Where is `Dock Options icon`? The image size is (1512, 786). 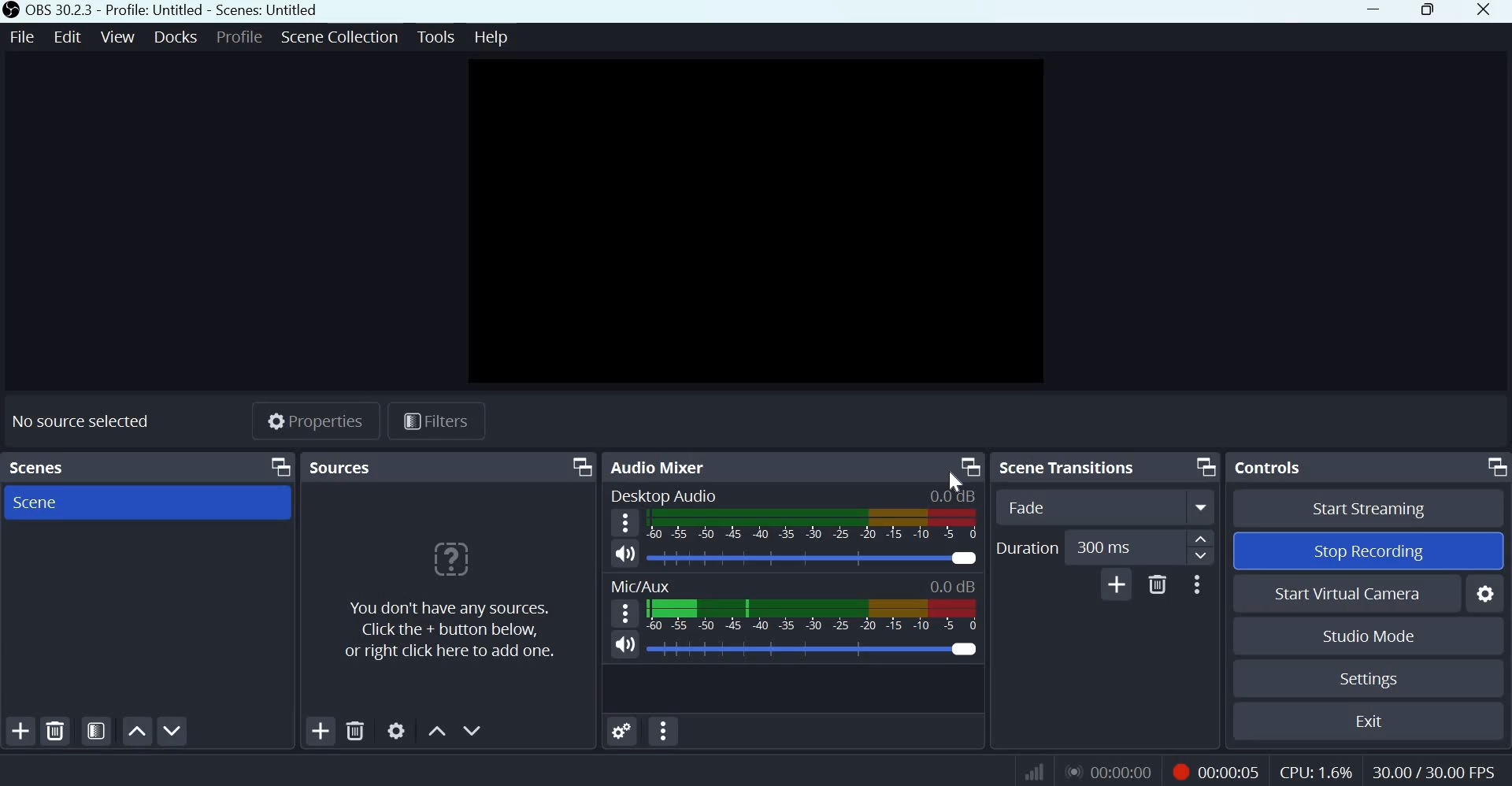
Dock Options icon is located at coordinates (278, 467).